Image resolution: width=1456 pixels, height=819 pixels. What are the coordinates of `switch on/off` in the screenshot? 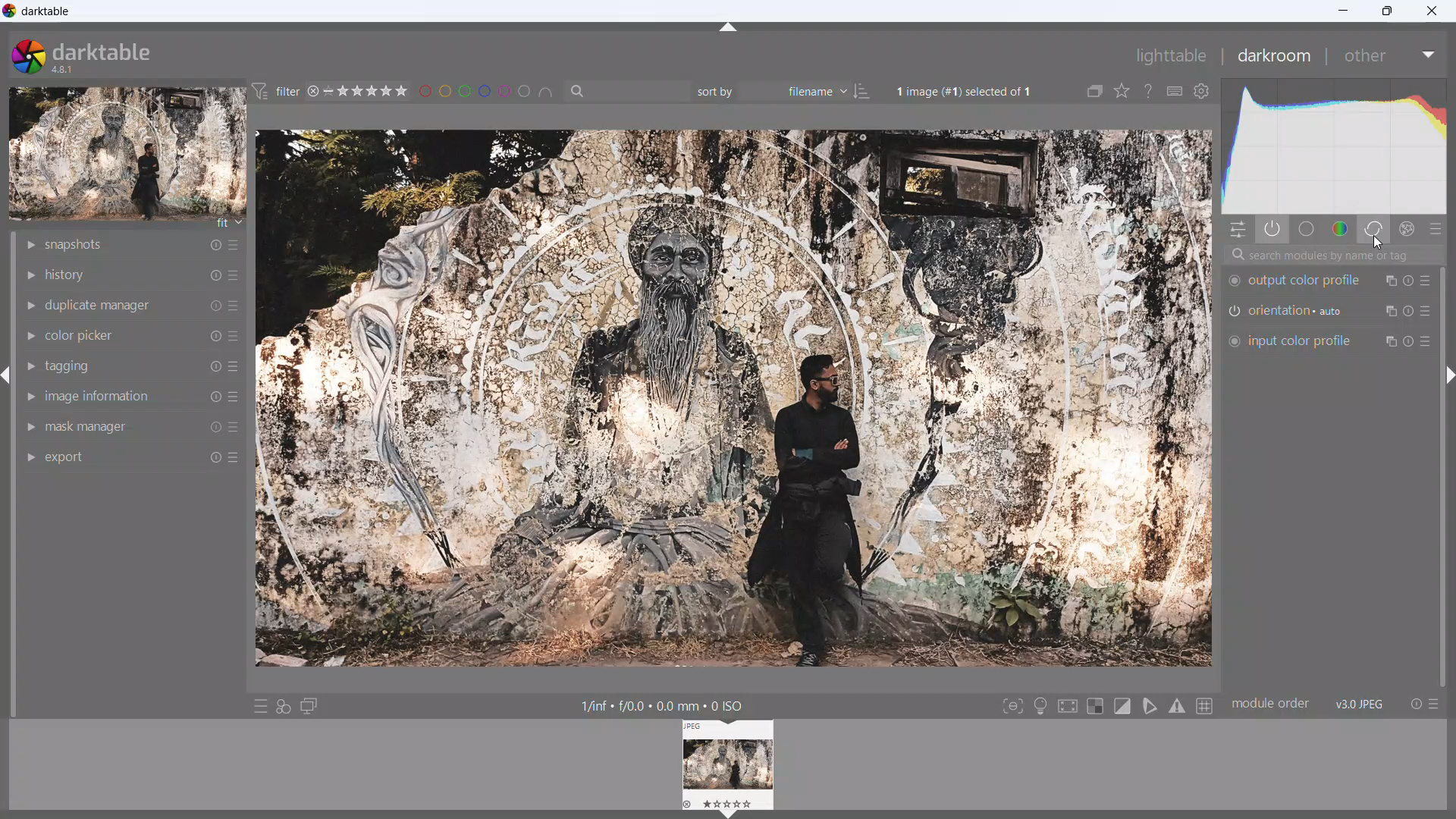 It's located at (1235, 281).